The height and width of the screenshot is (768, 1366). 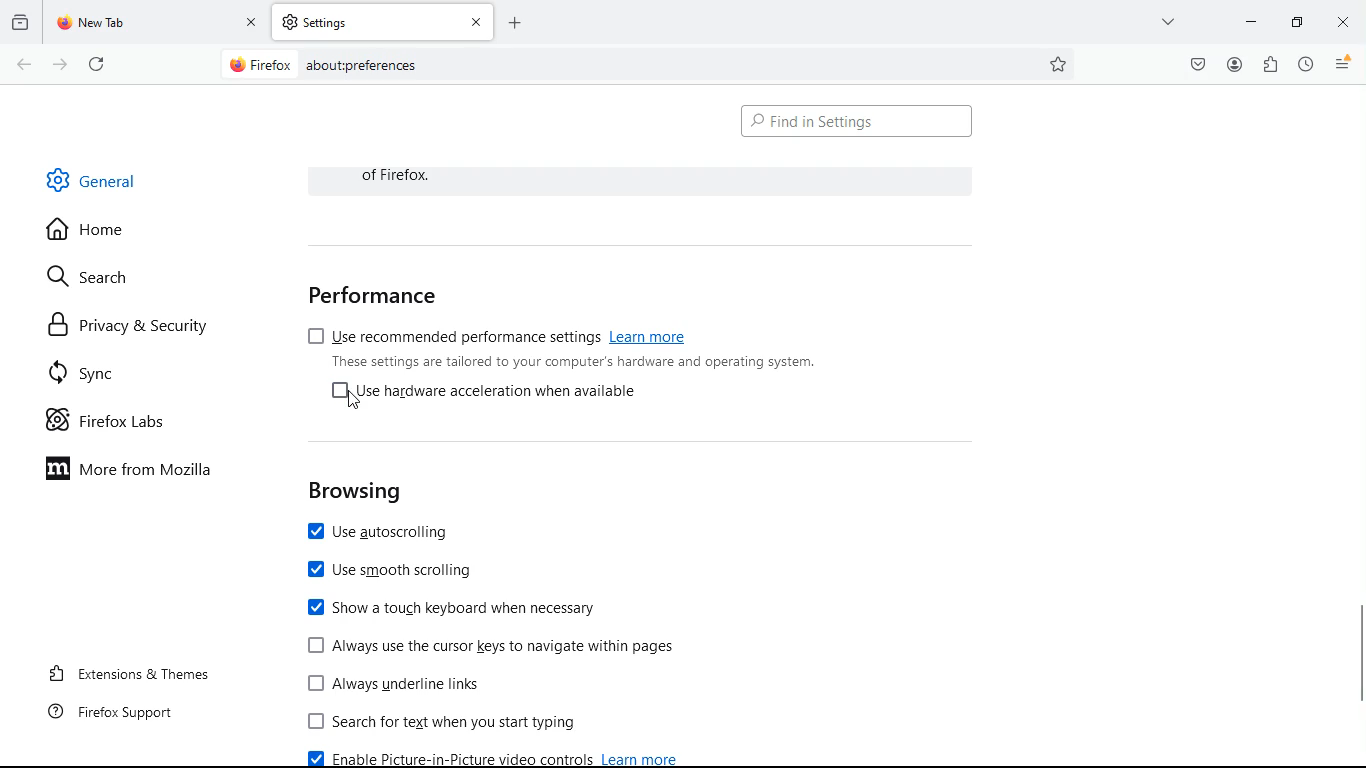 What do you see at coordinates (1305, 65) in the screenshot?
I see `history` at bounding box center [1305, 65].